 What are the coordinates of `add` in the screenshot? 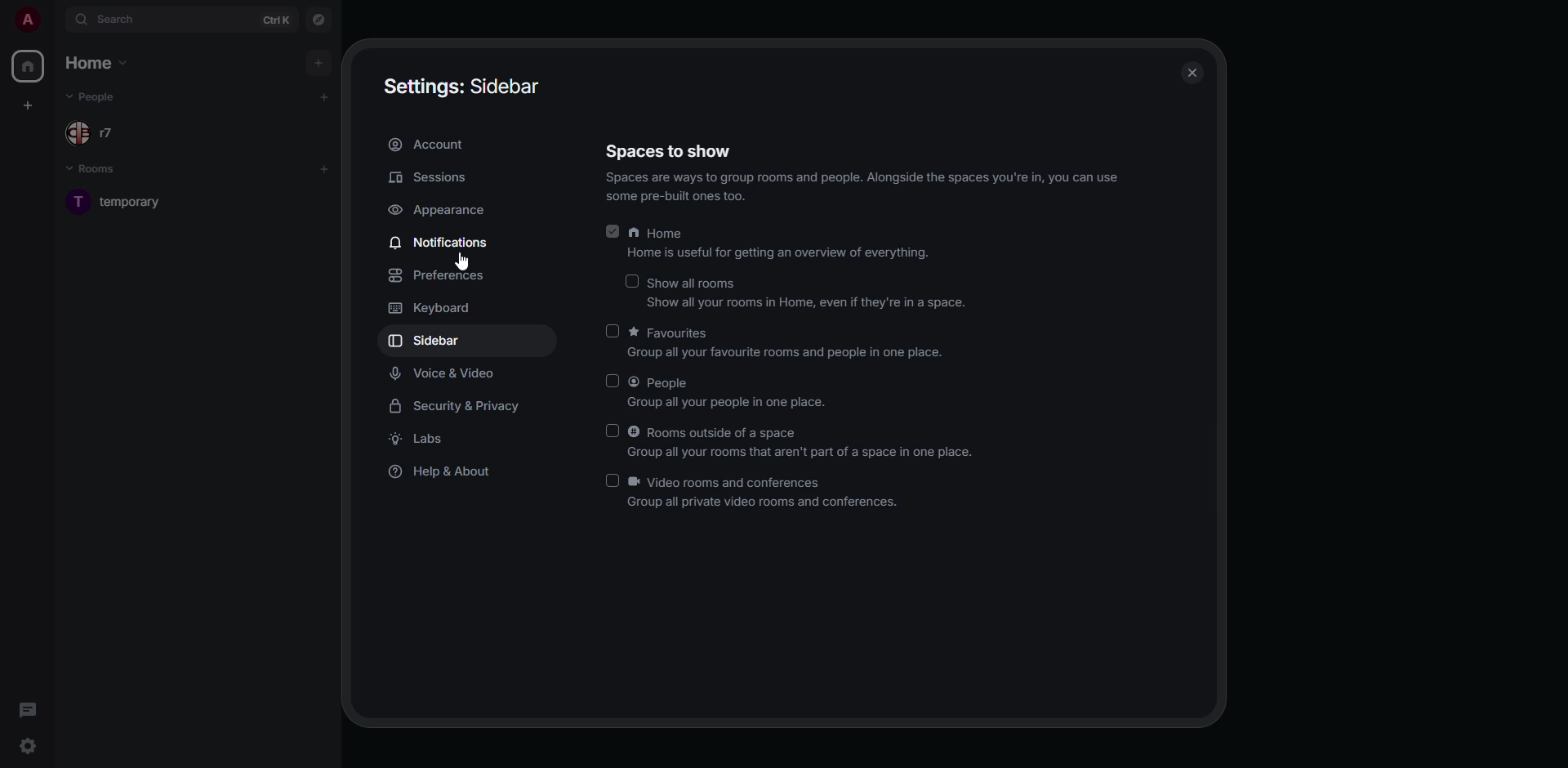 It's located at (318, 62).